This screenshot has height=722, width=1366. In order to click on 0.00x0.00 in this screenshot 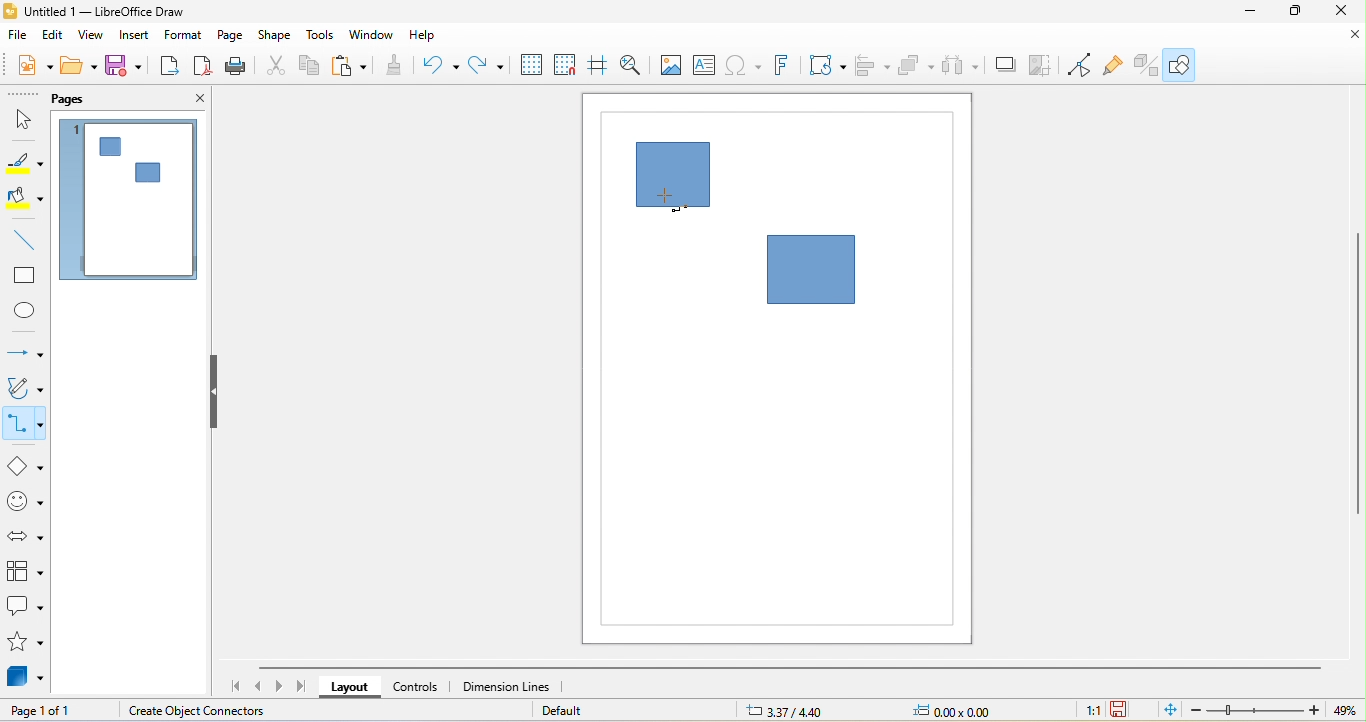, I will do `click(958, 712)`.